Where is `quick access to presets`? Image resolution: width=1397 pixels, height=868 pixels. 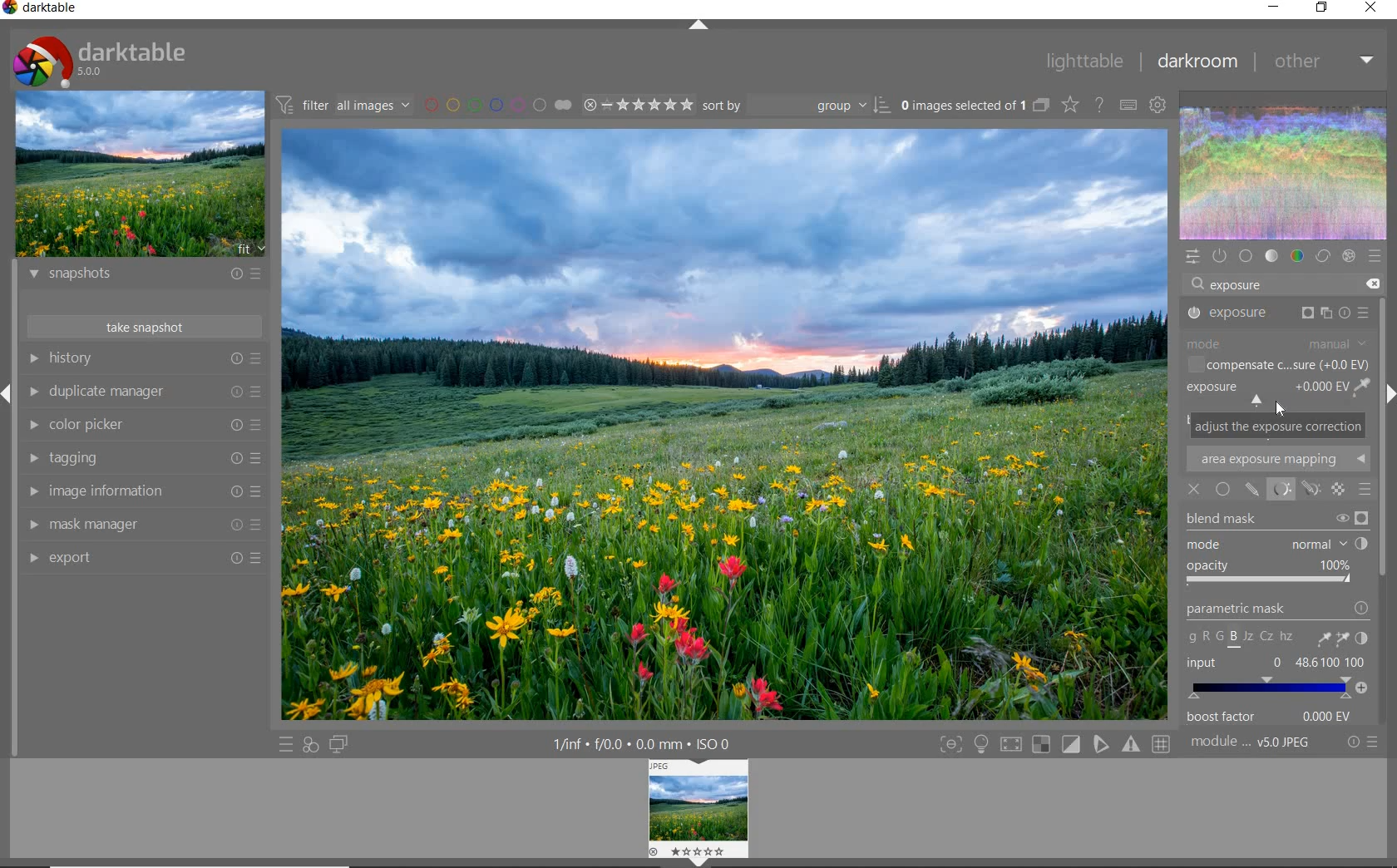
quick access to presets is located at coordinates (285, 745).